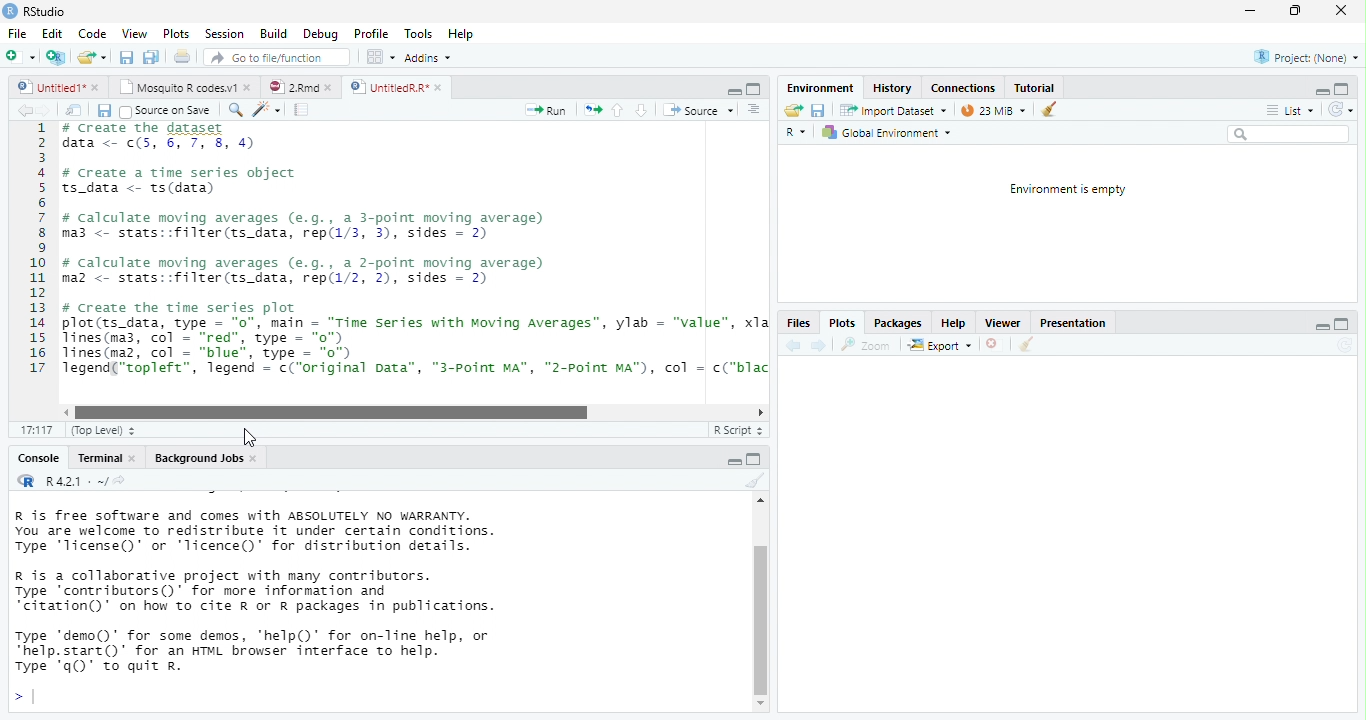 The image size is (1366, 720). Describe the element at coordinates (735, 462) in the screenshot. I see `maximize` at that location.